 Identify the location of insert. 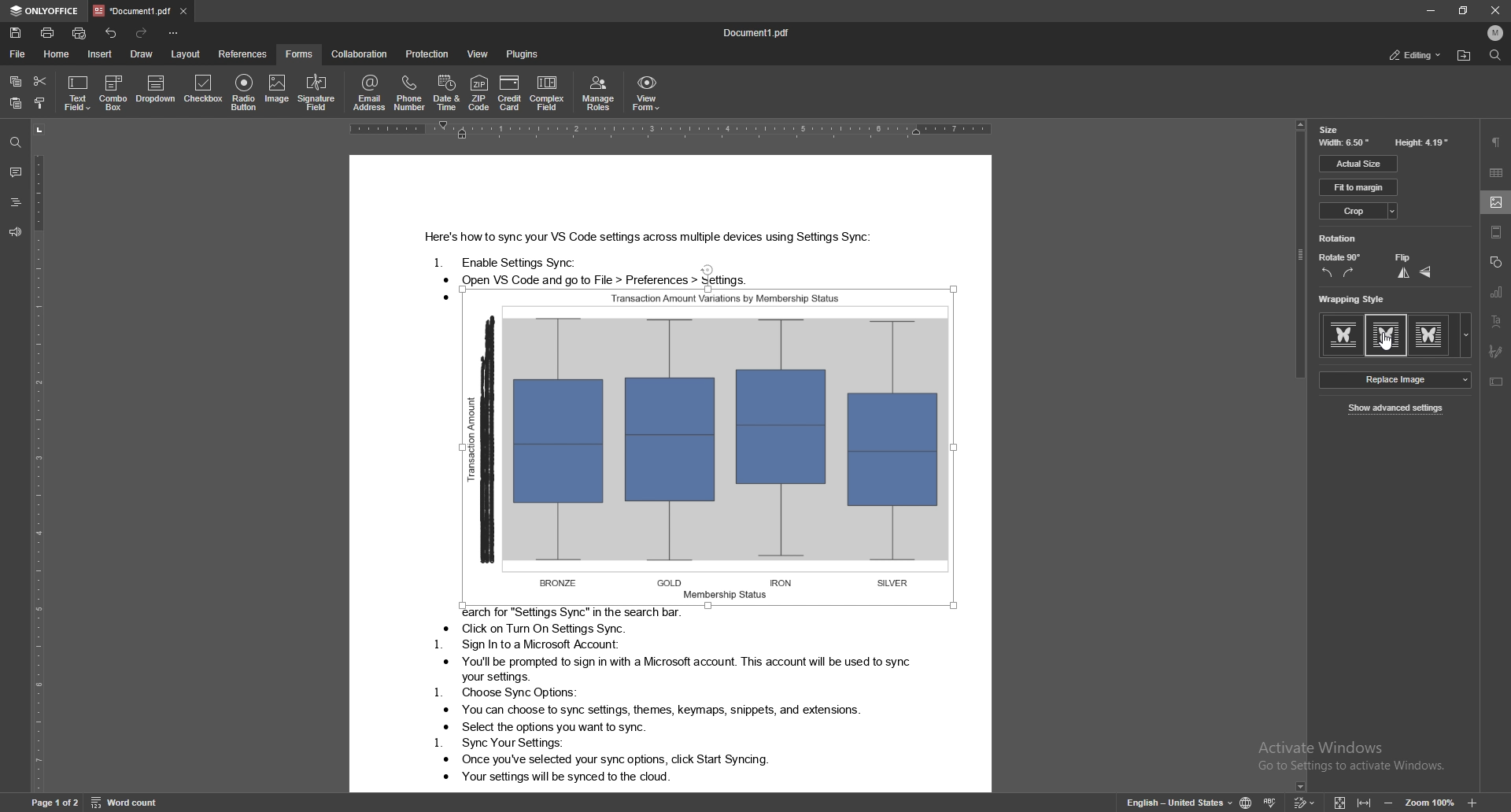
(100, 54).